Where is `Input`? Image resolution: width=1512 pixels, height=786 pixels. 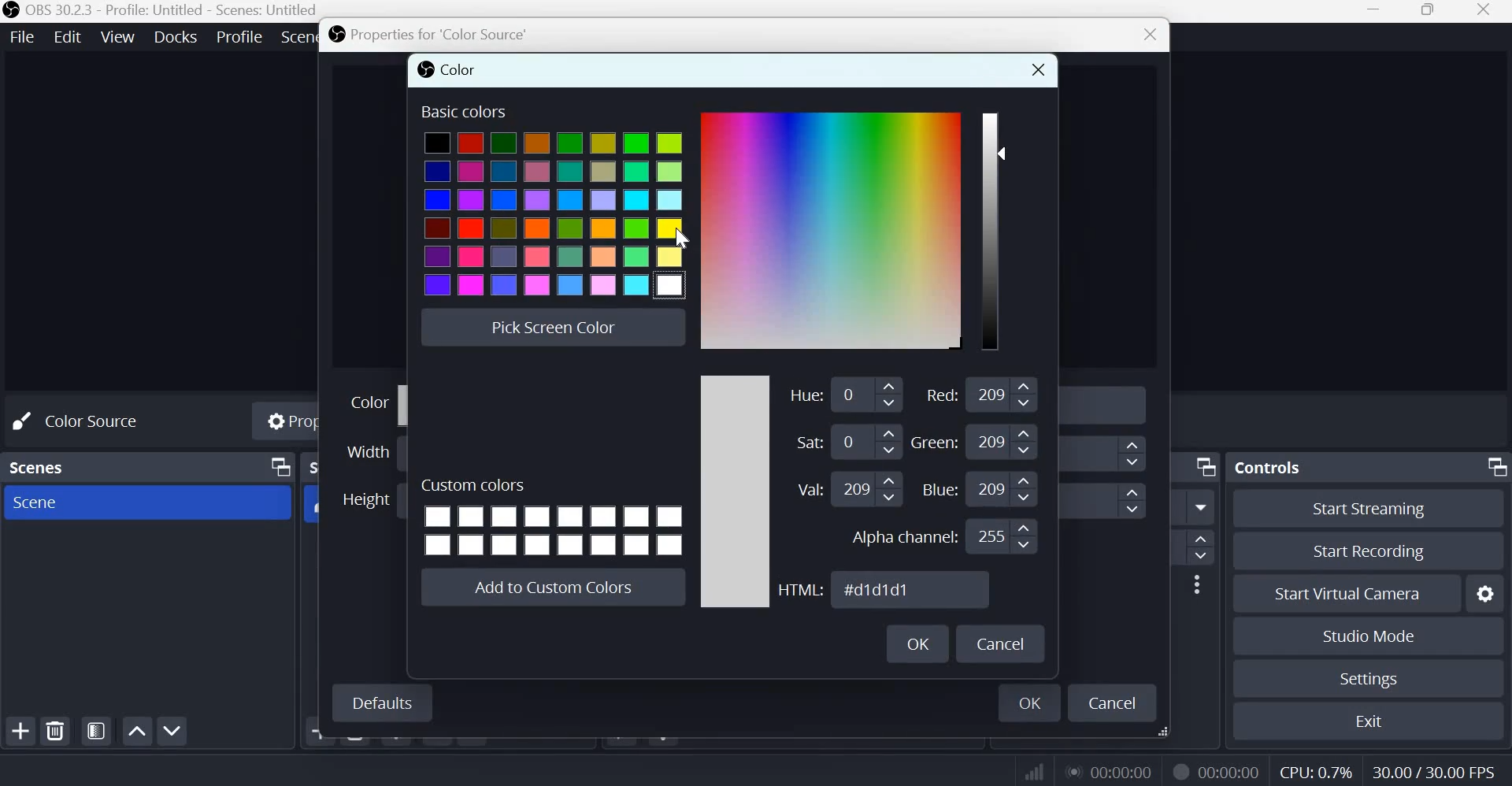 Input is located at coordinates (869, 395).